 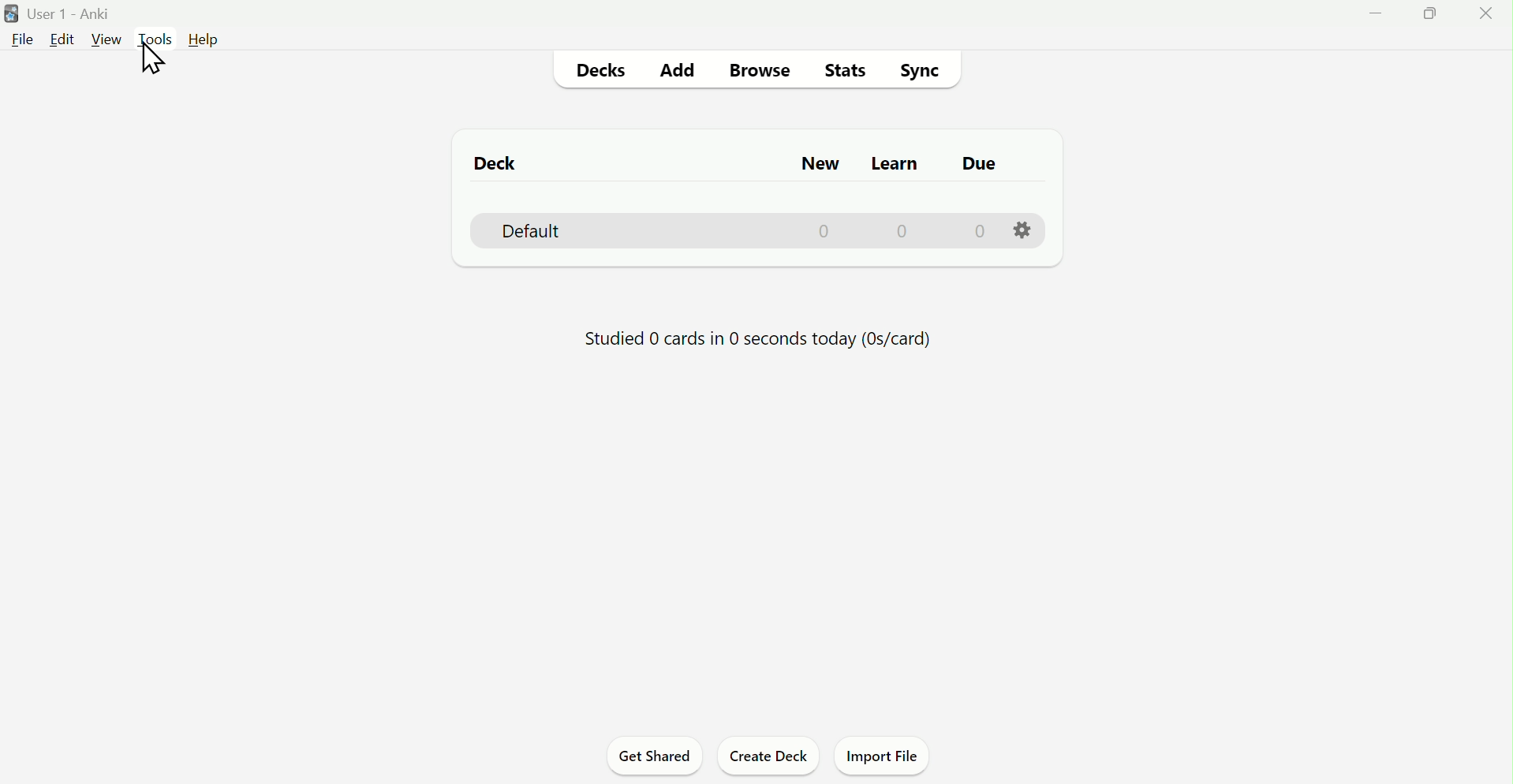 What do you see at coordinates (884, 756) in the screenshot?
I see `Import file` at bounding box center [884, 756].